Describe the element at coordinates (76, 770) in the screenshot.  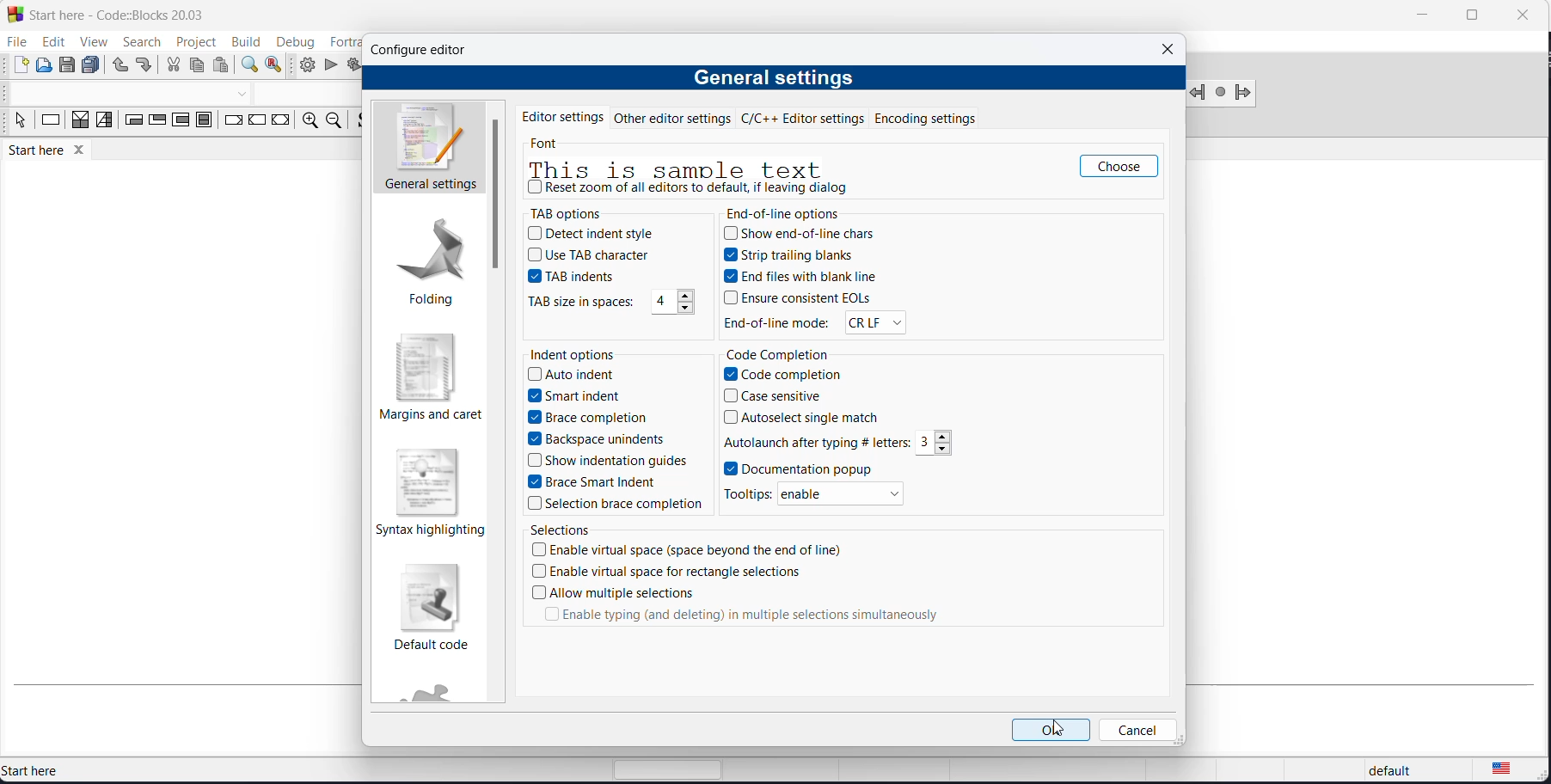
I see `start here` at that location.